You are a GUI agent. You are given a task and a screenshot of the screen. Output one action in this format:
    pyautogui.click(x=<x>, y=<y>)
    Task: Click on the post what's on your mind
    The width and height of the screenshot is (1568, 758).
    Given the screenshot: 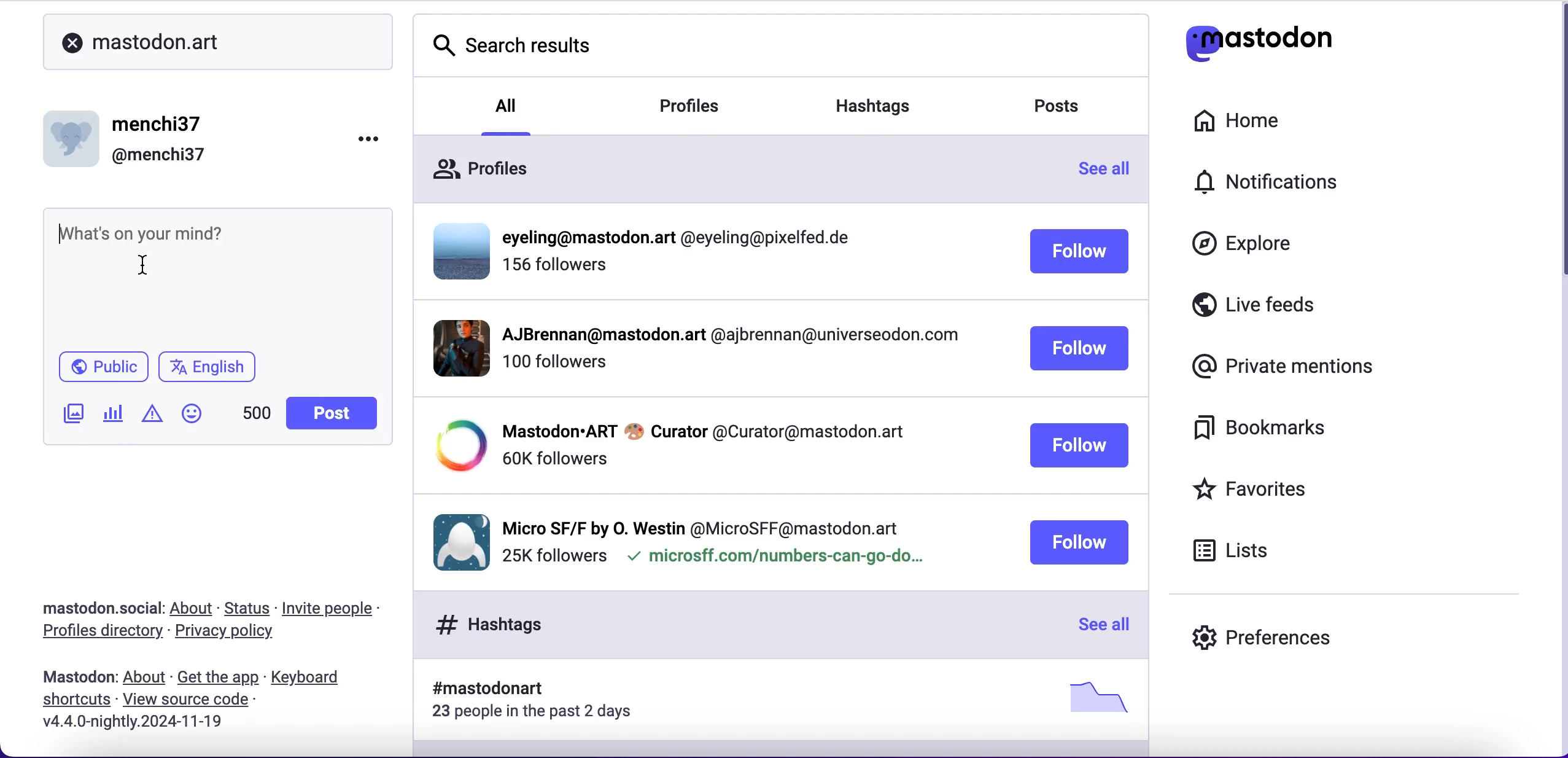 What is the action you would take?
    pyautogui.click(x=168, y=229)
    